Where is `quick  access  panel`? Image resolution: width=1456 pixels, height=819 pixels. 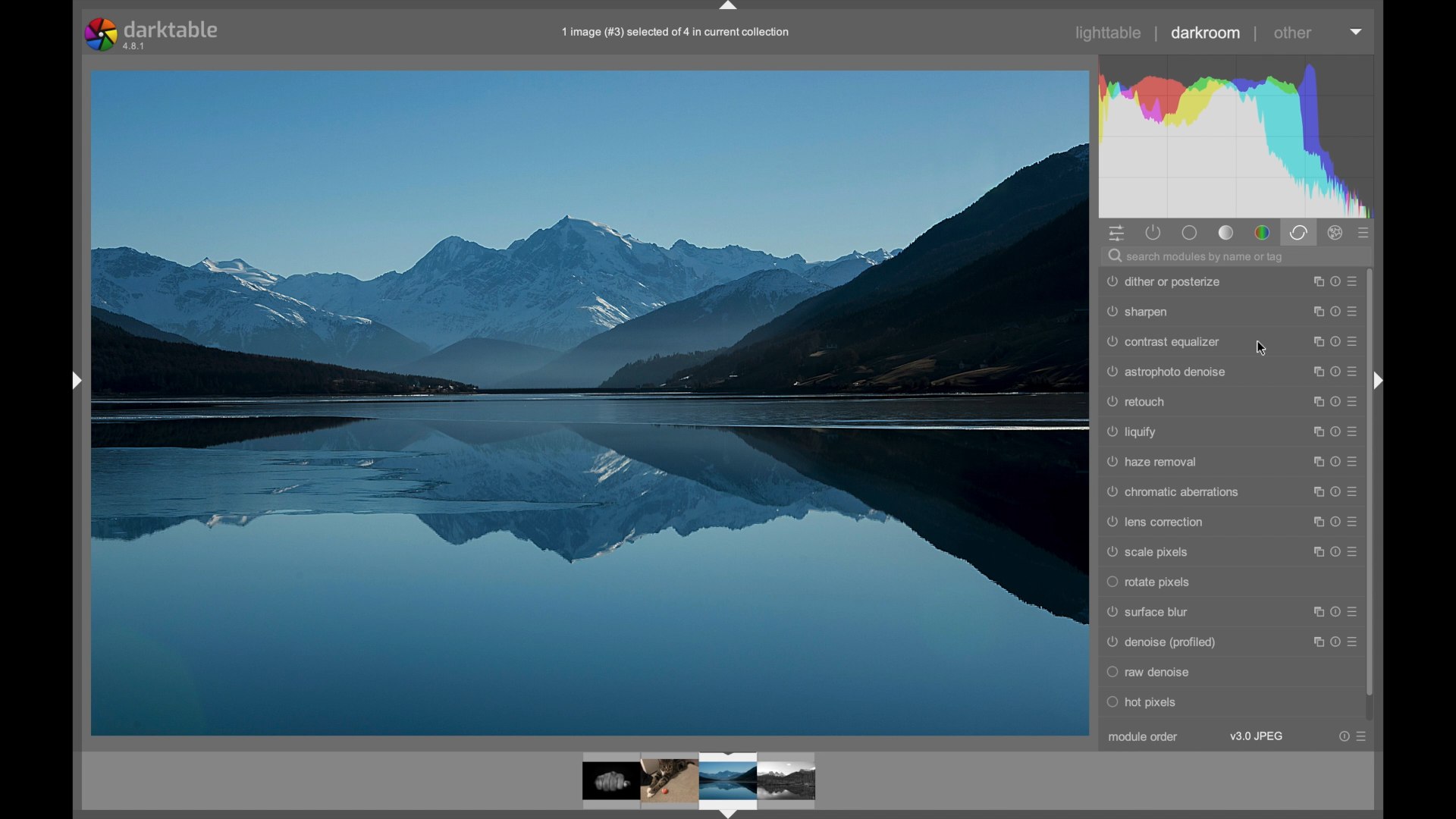 quick  access  panel is located at coordinates (1118, 232).